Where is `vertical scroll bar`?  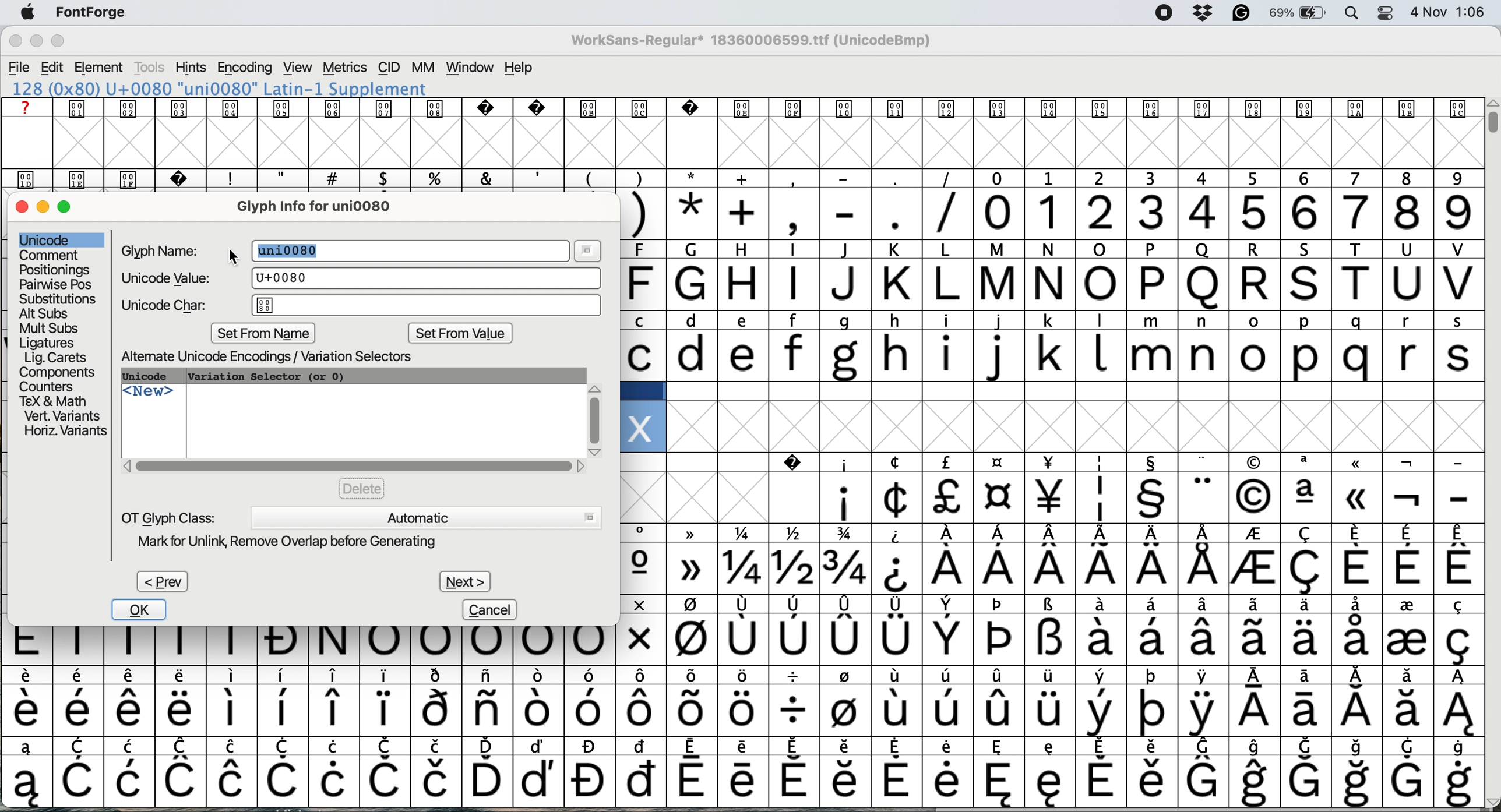 vertical scroll bar is located at coordinates (1490, 122).